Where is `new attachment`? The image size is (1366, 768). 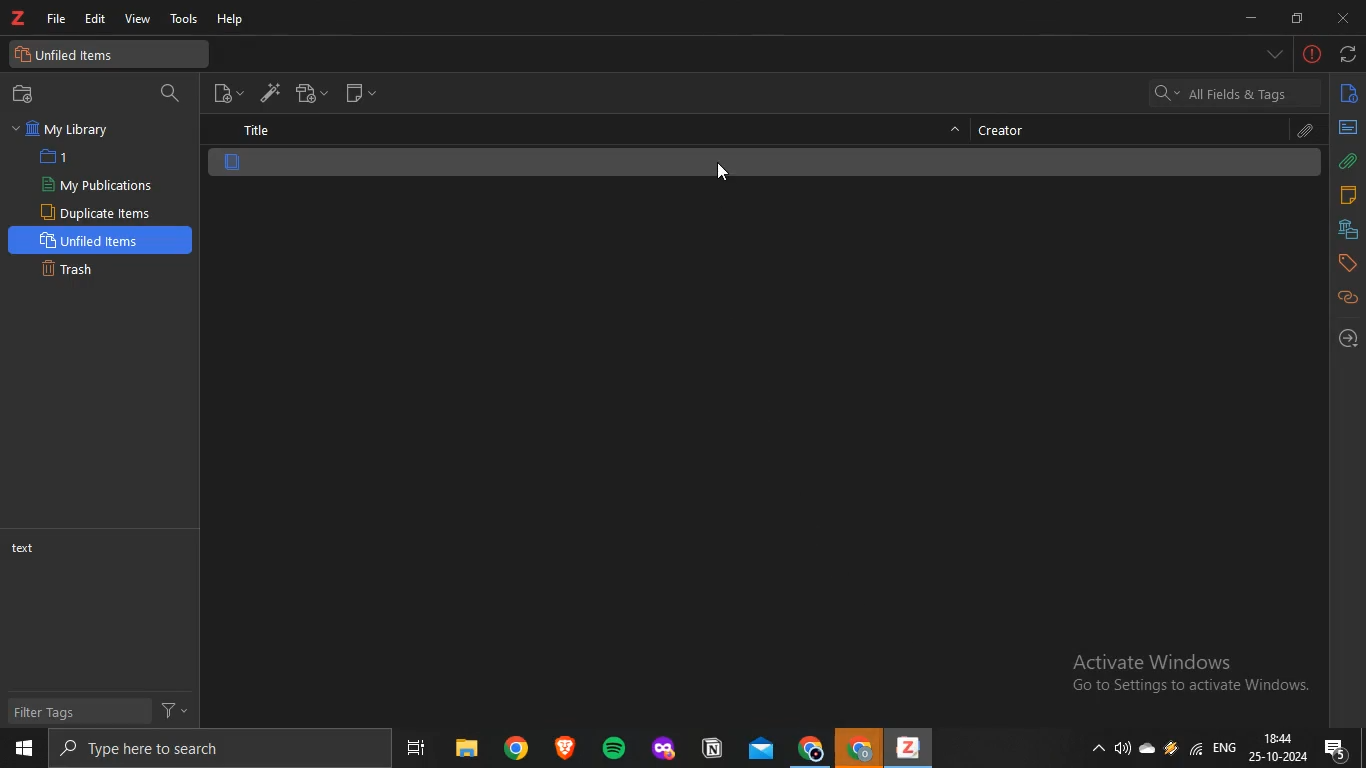 new attachment is located at coordinates (313, 95).